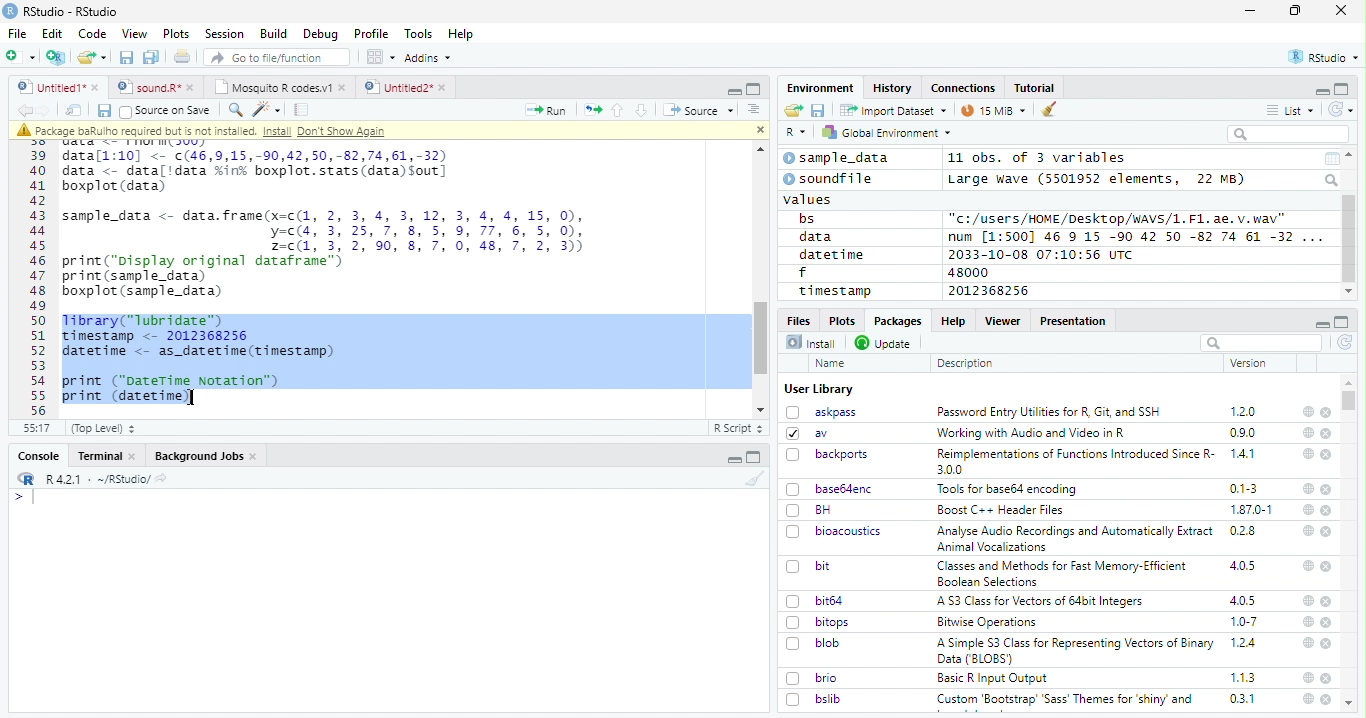 Image resolution: width=1366 pixels, height=718 pixels. Describe the element at coordinates (233, 108) in the screenshot. I see `find` at that location.